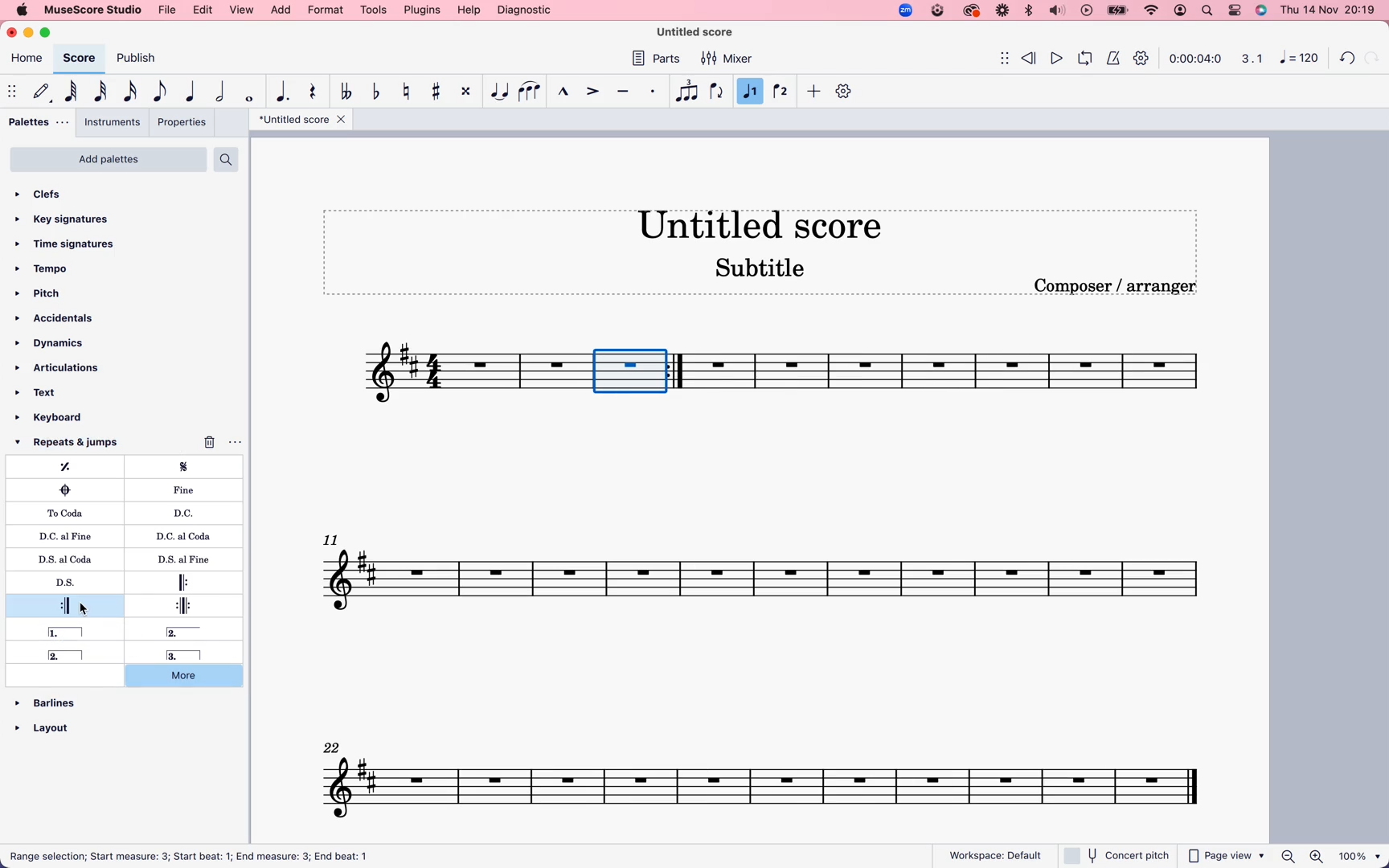 Image resolution: width=1389 pixels, height=868 pixels. I want to click on concert pitch, so click(1116, 855).